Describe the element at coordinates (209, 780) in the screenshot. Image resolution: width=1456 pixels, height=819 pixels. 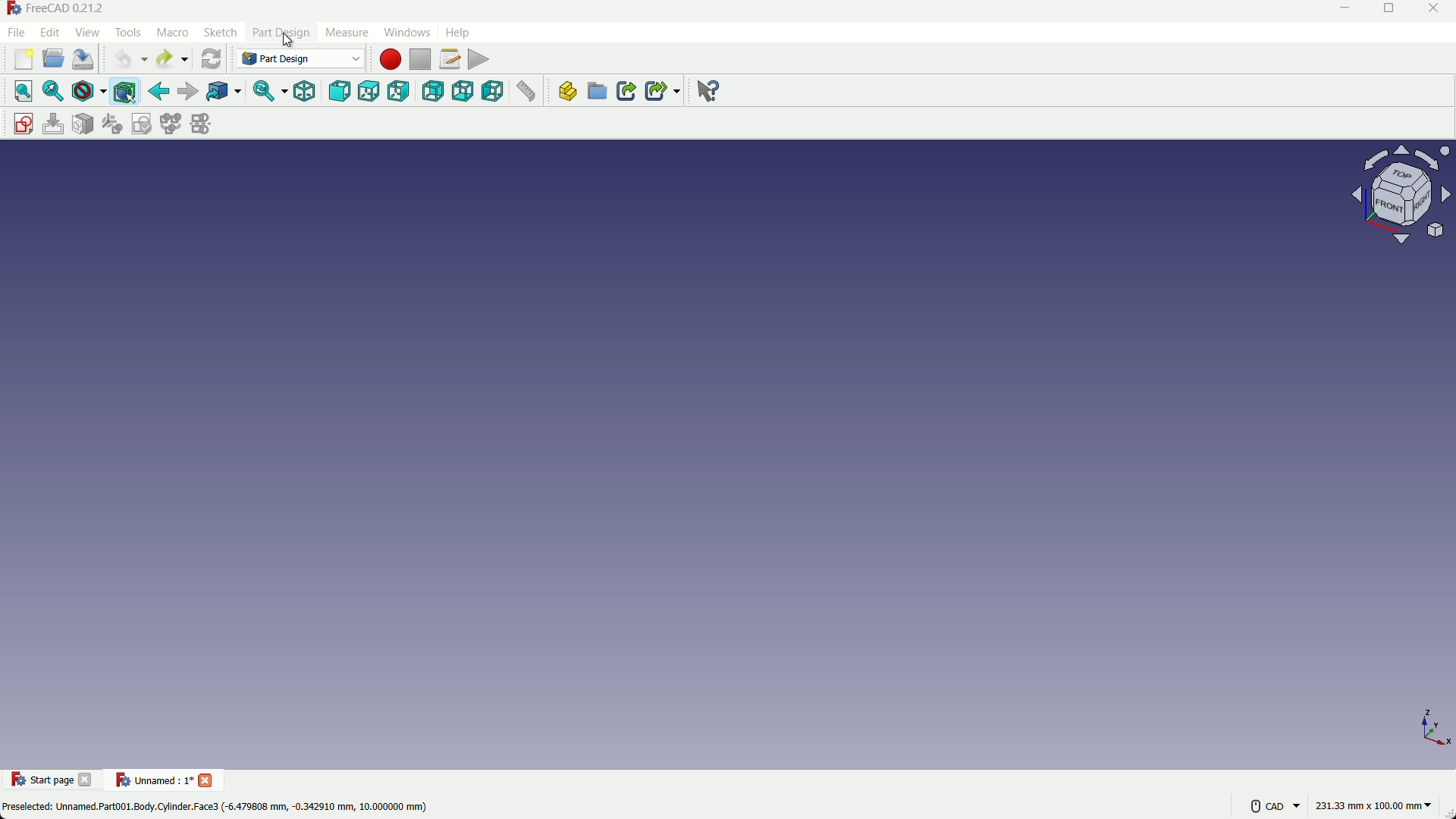
I see `close project` at that location.